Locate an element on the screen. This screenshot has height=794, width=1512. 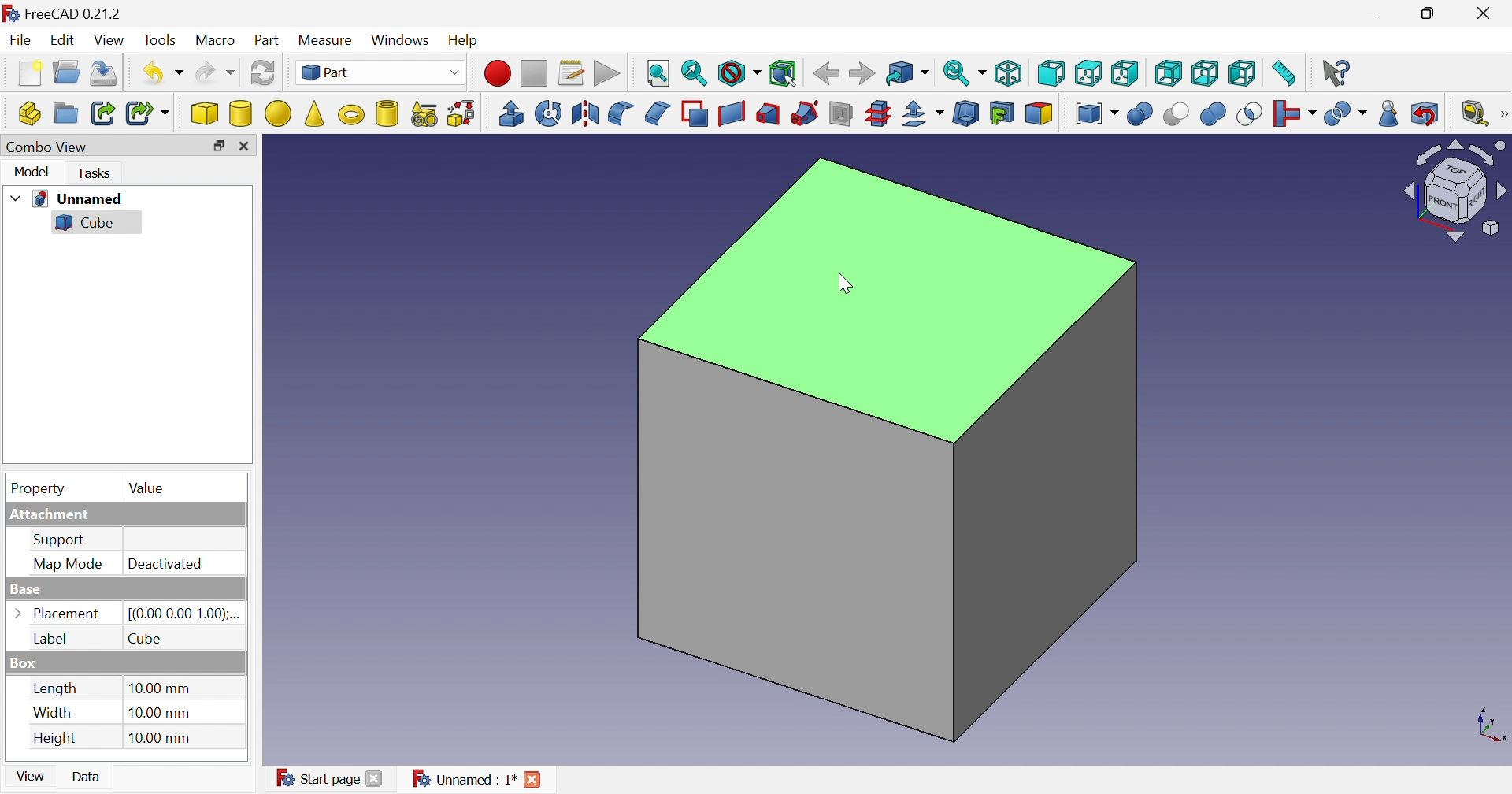
Help is located at coordinates (464, 41).